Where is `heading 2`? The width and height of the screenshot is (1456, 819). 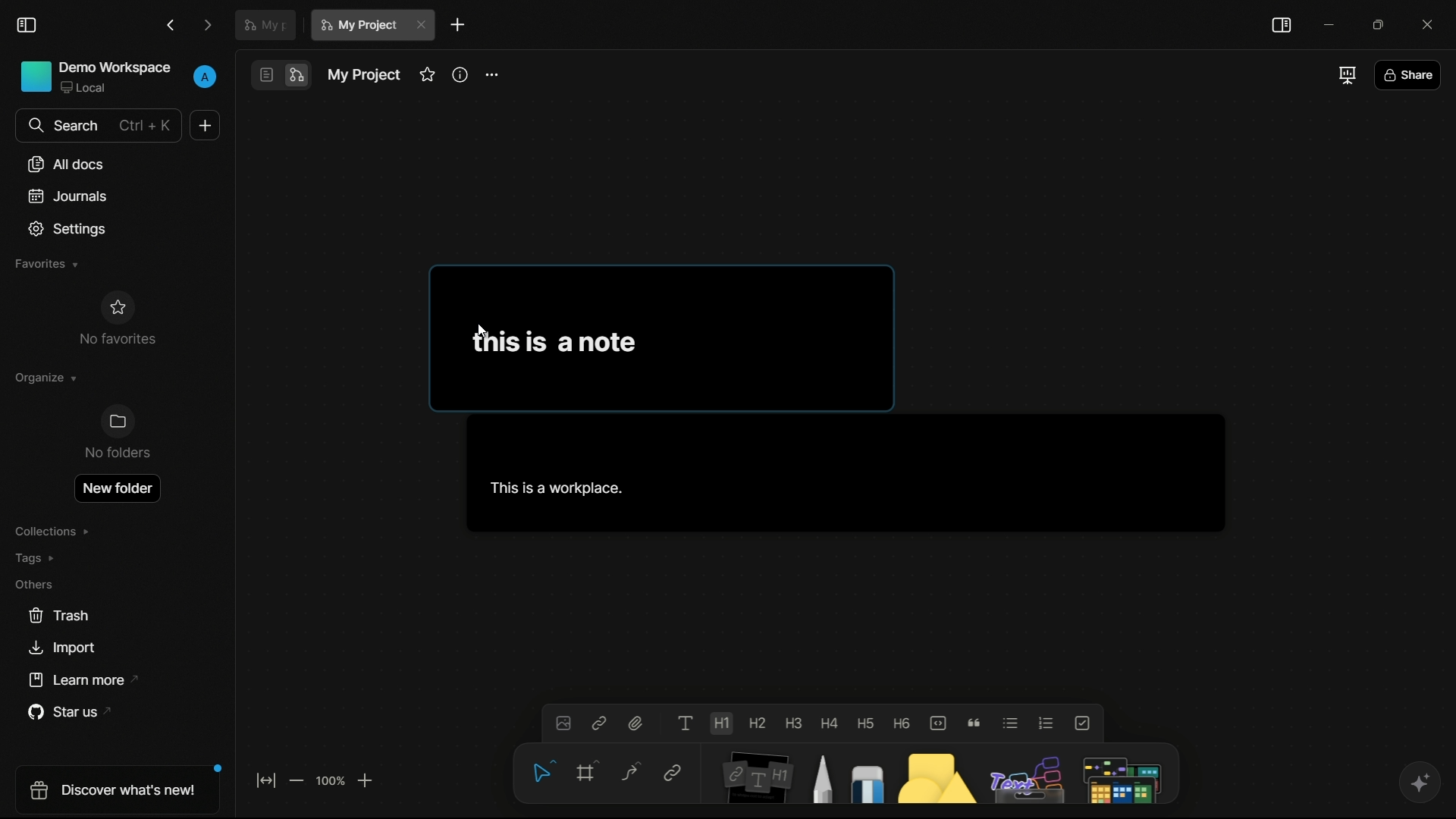
heading 2 is located at coordinates (758, 720).